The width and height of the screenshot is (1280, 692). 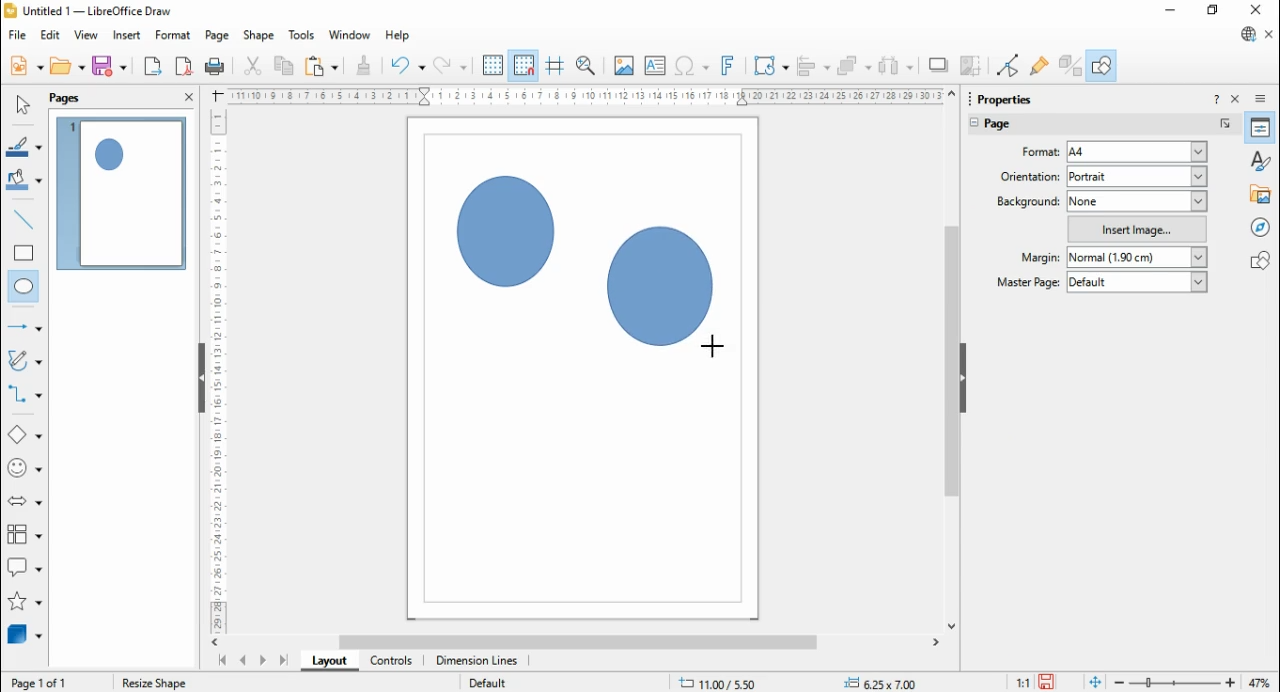 What do you see at coordinates (1259, 11) in the screenshot?
I see `close windo` at bounding box center [1259, 11].